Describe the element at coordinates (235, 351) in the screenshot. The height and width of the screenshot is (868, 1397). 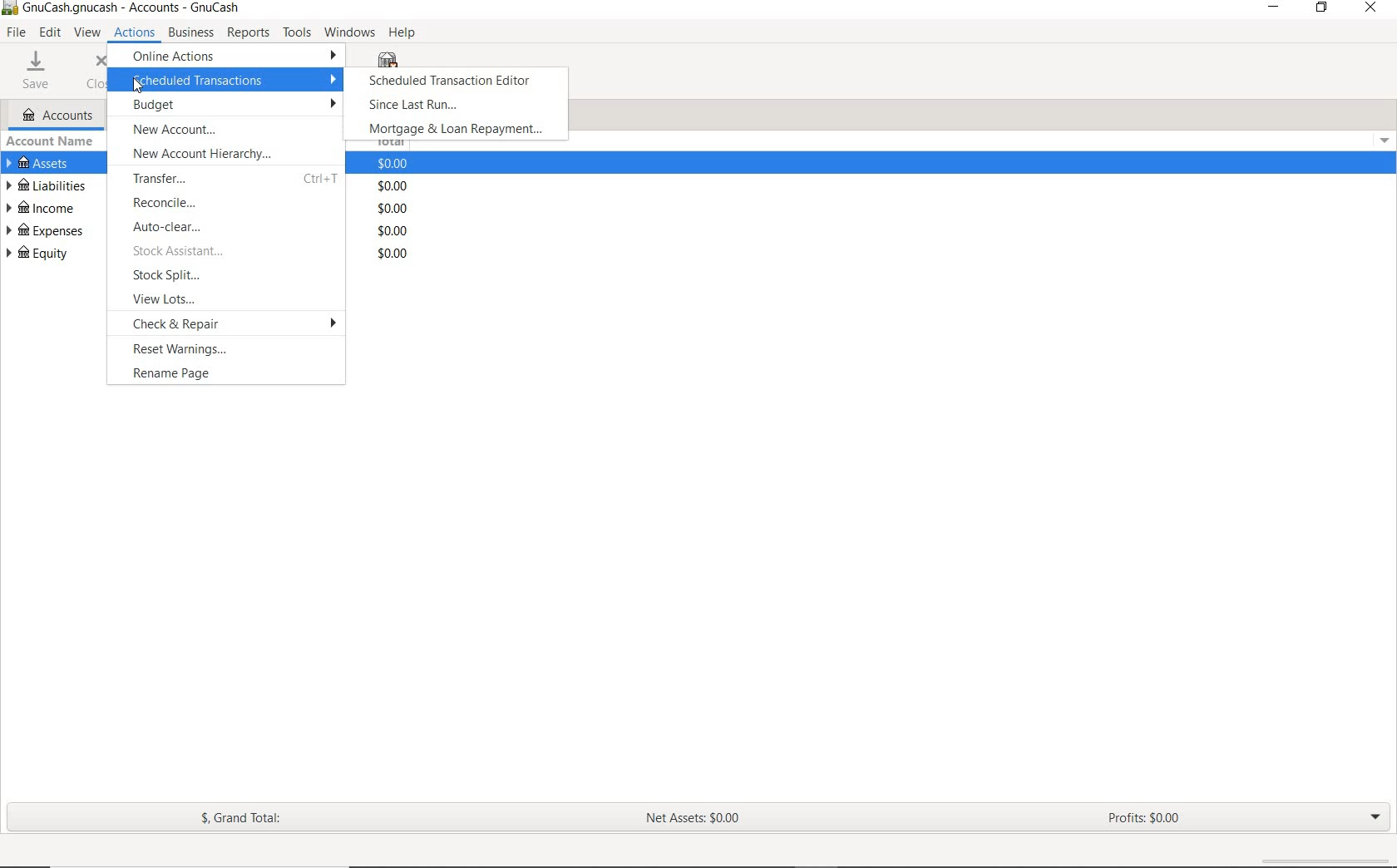
I see `RESET WARNINGS` at that location.